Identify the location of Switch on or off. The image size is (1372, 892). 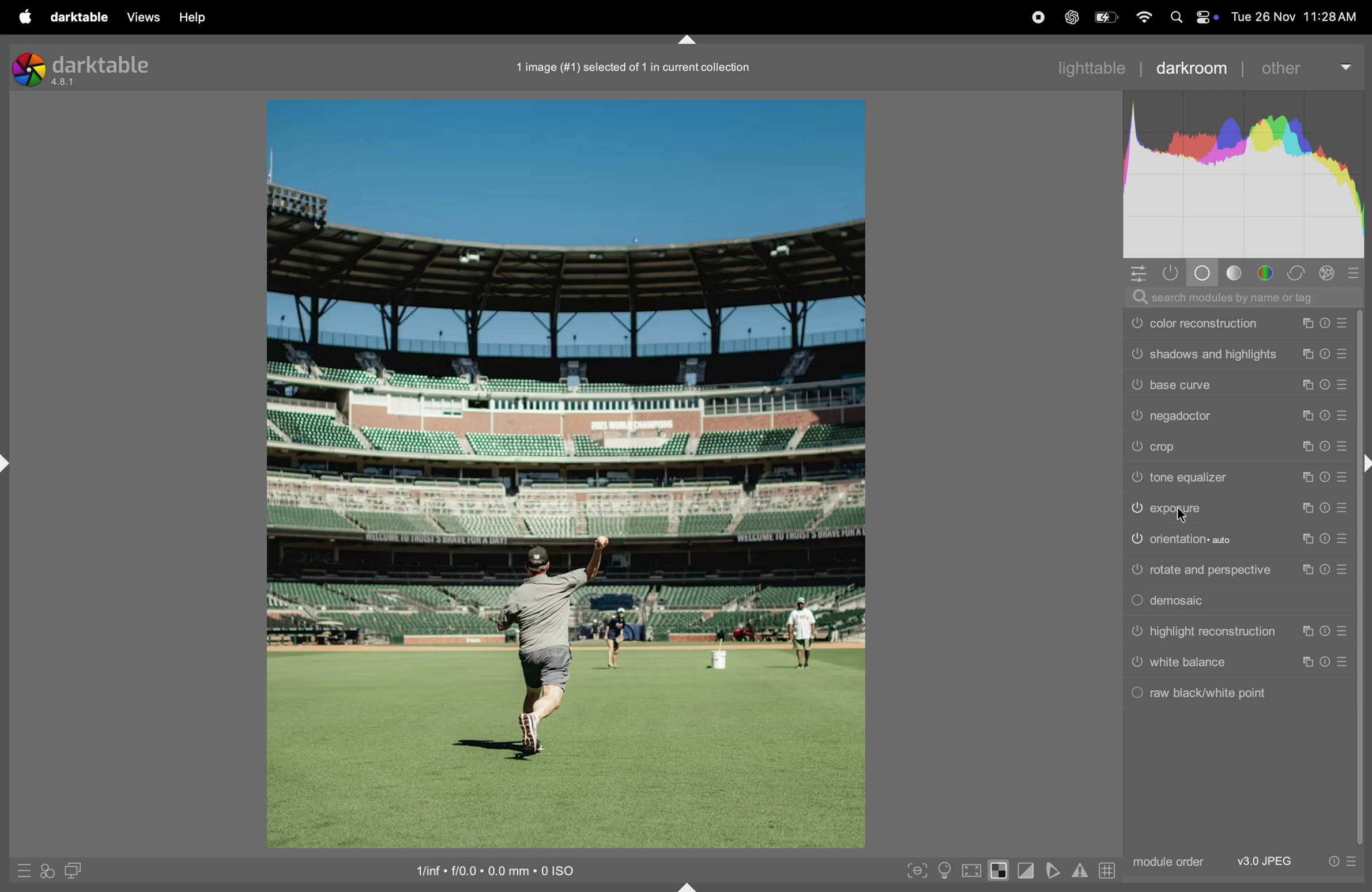
(1136, 508).